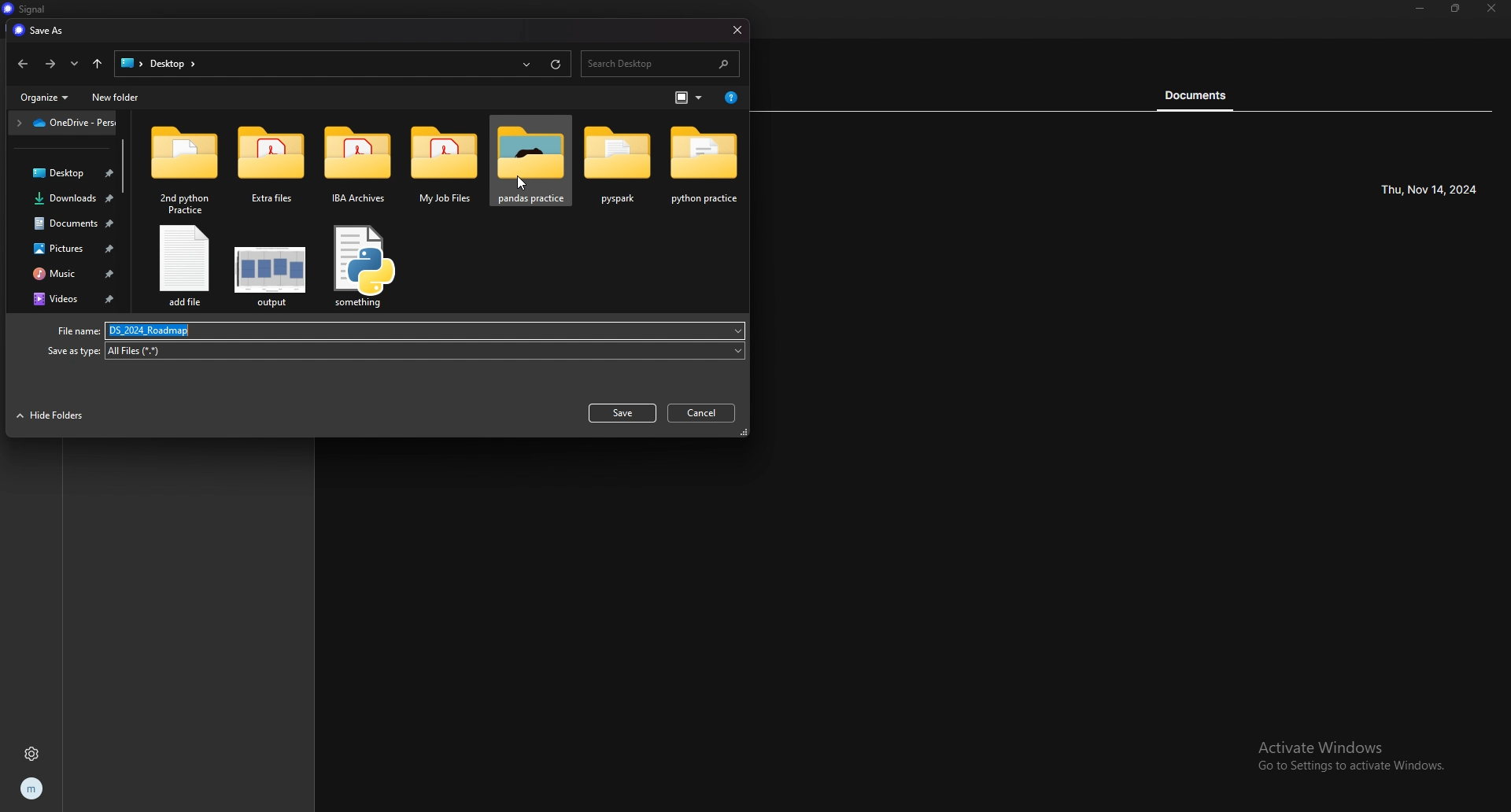 This screenshot has width=1511, height=812. Describe the element at coordinates (445, 163) in the screenshot. I see `folder` at that location.